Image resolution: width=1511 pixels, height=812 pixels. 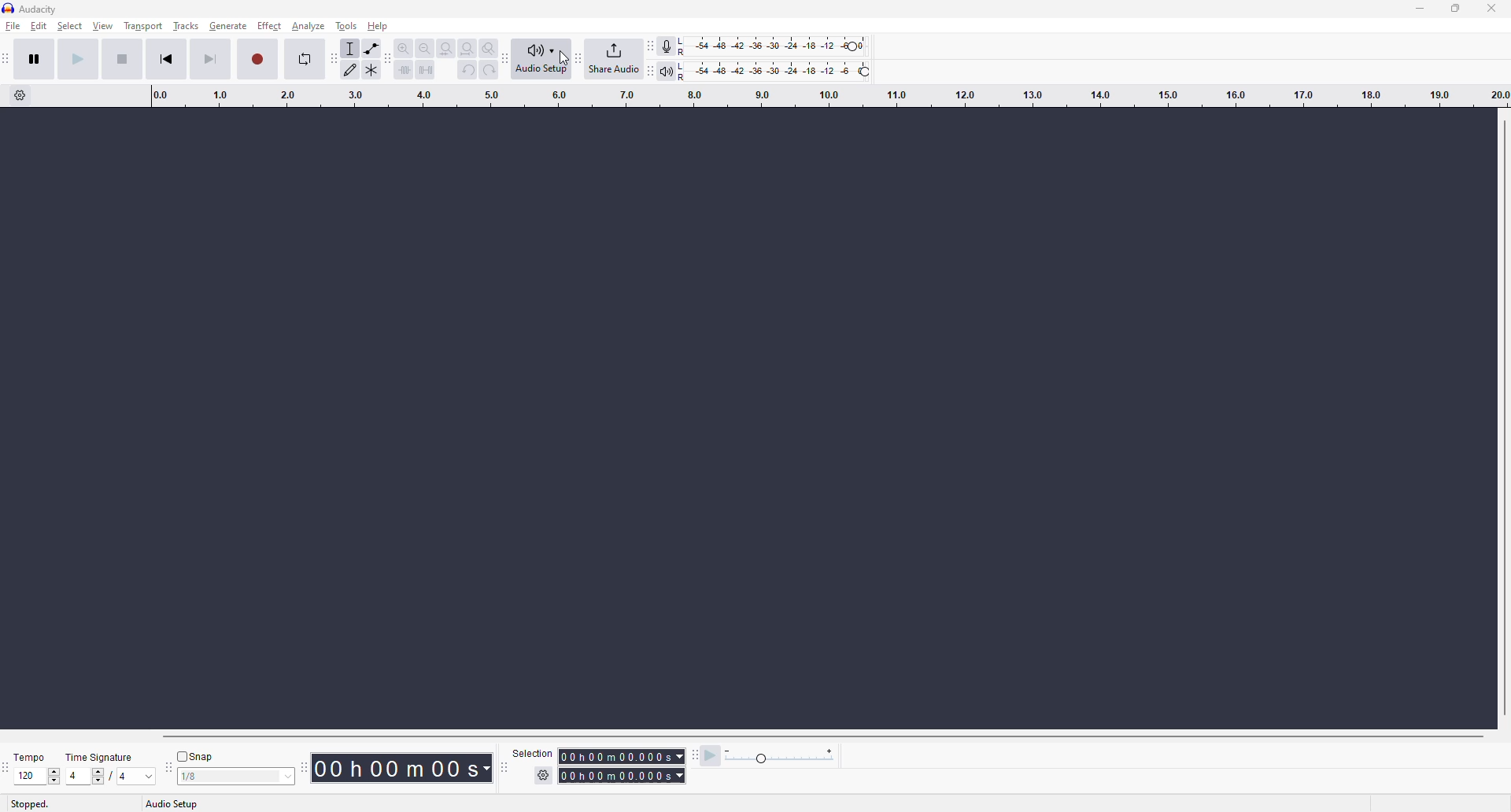 I want to click on Vertical Scrollbar, so click(x=1502, y=412).